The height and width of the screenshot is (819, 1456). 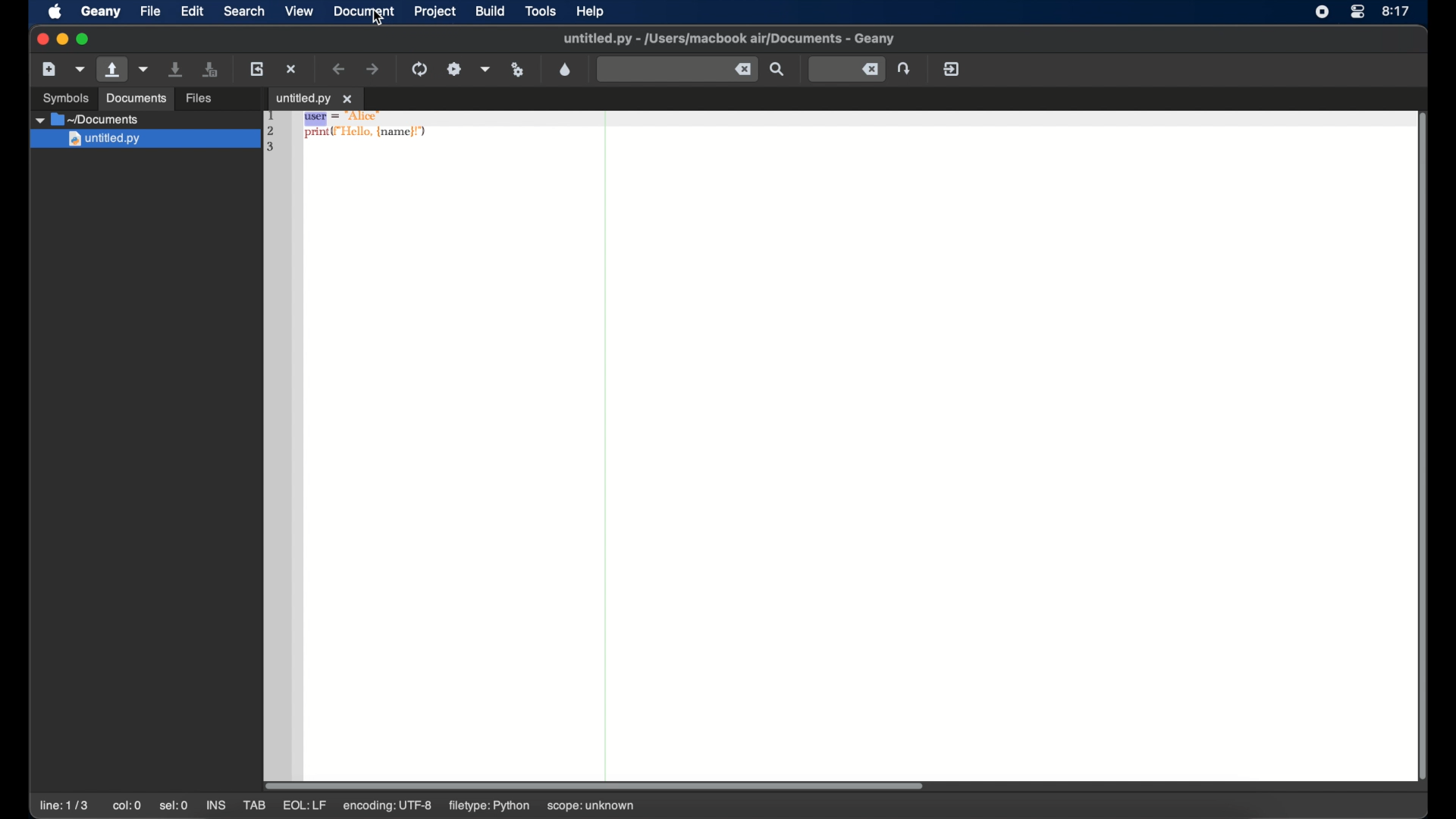 What do you see at coordinates (136, 99) in the screenshot?
I see `documents` at bounding box center [136, 99].